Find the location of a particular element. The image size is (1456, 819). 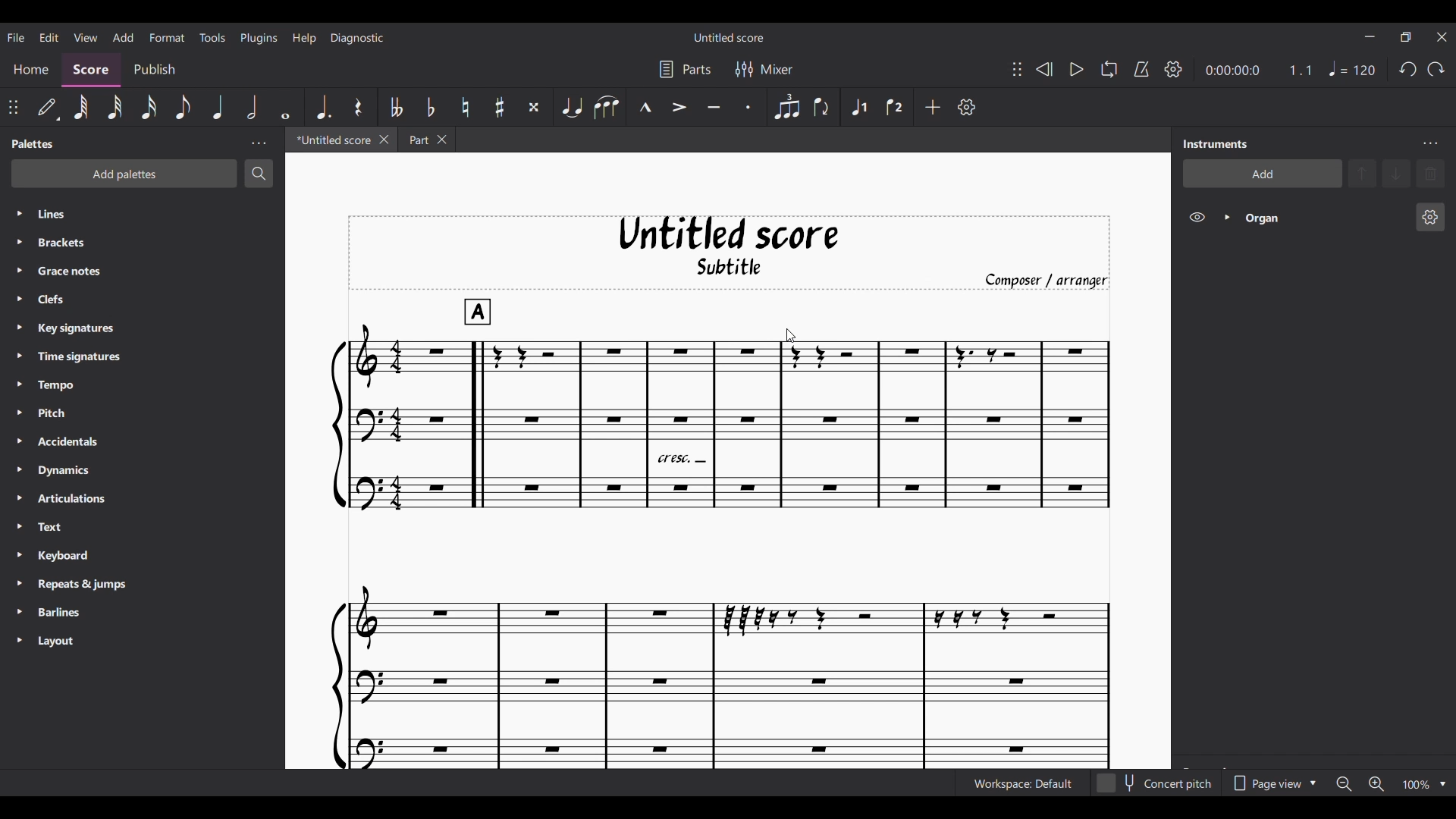

Zoom out is located at coordinates (1345, 784).